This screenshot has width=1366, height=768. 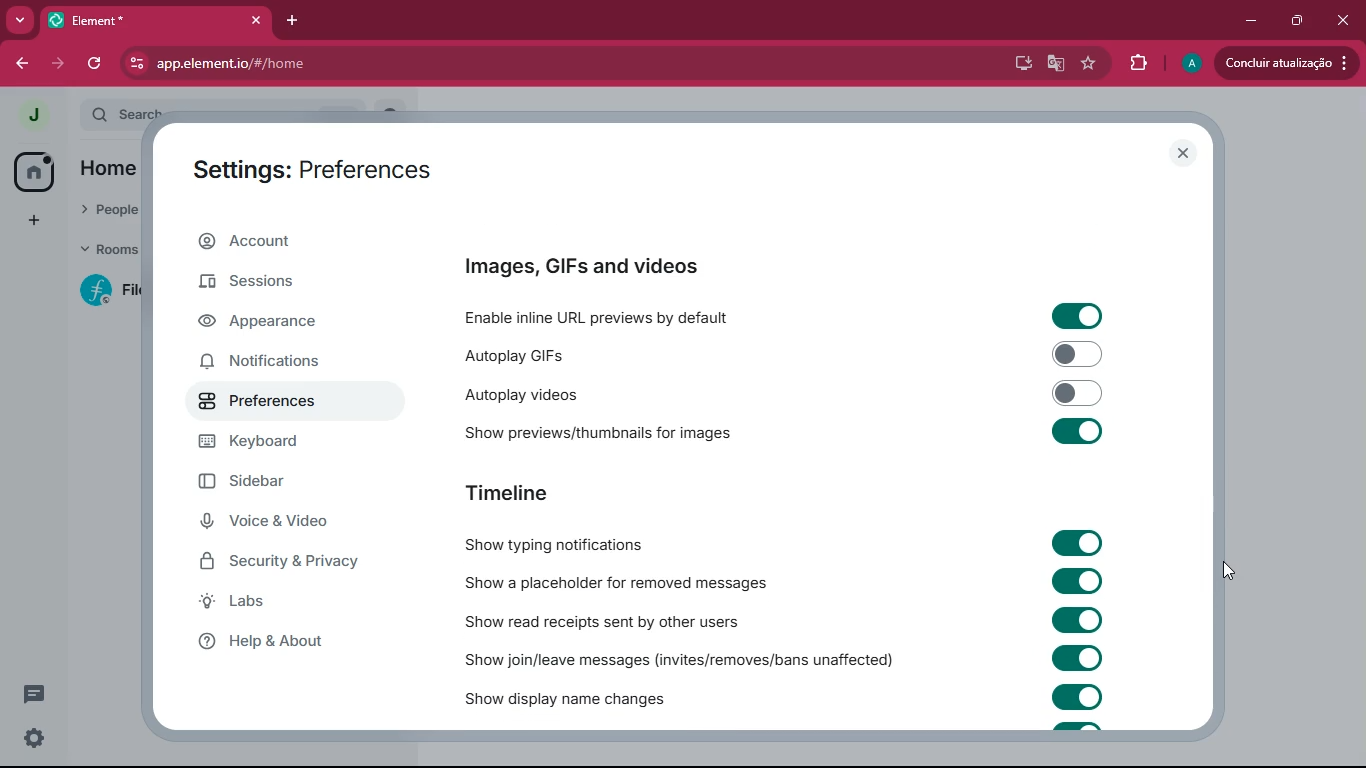 What do you see at coordinates (1346, 24) in the screenshot?
I see `close` at bounding box center [1346, 24].